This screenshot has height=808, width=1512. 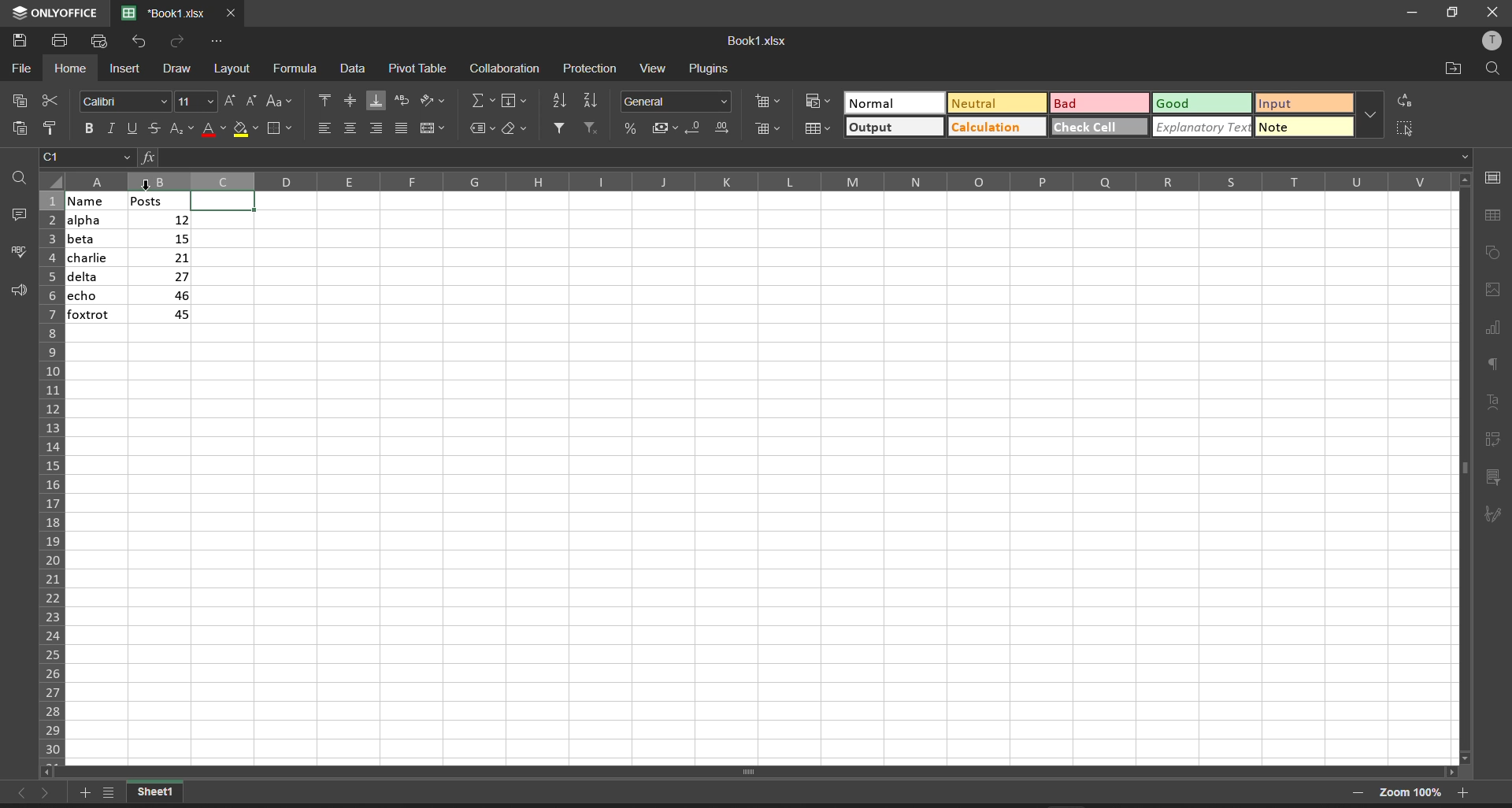 I want to click on pivot table settings, so click(x=1495, y=438).